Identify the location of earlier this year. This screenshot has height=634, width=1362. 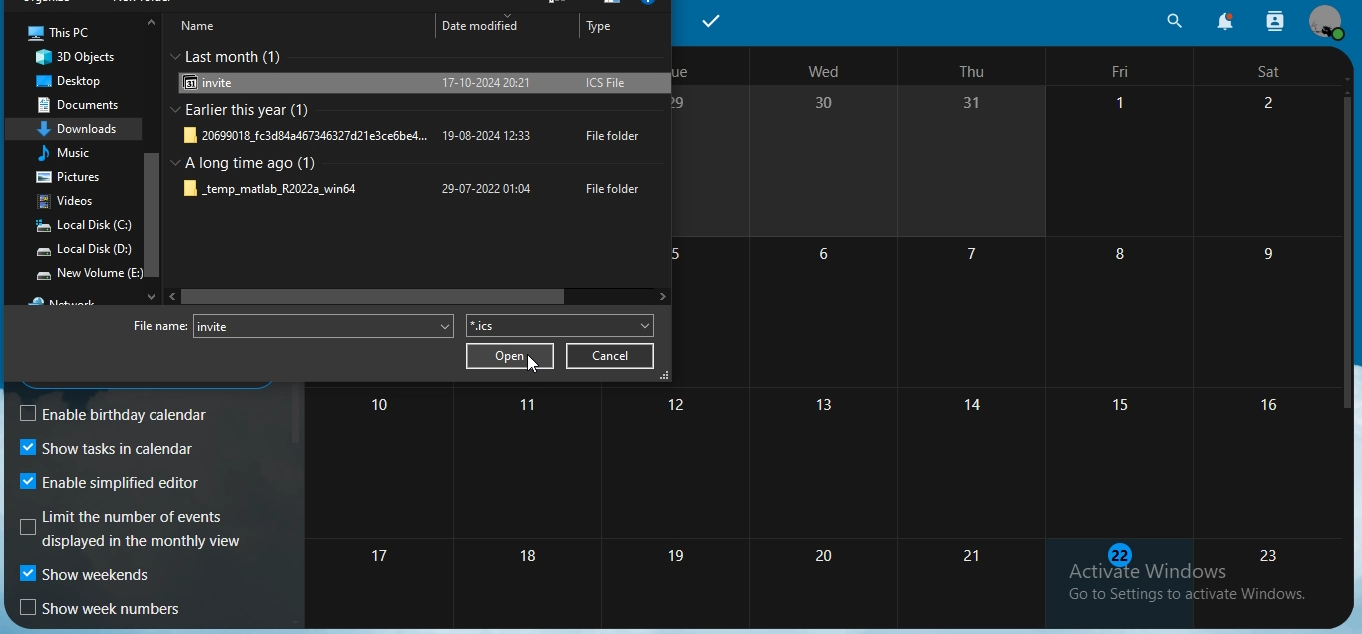
(250, 111).